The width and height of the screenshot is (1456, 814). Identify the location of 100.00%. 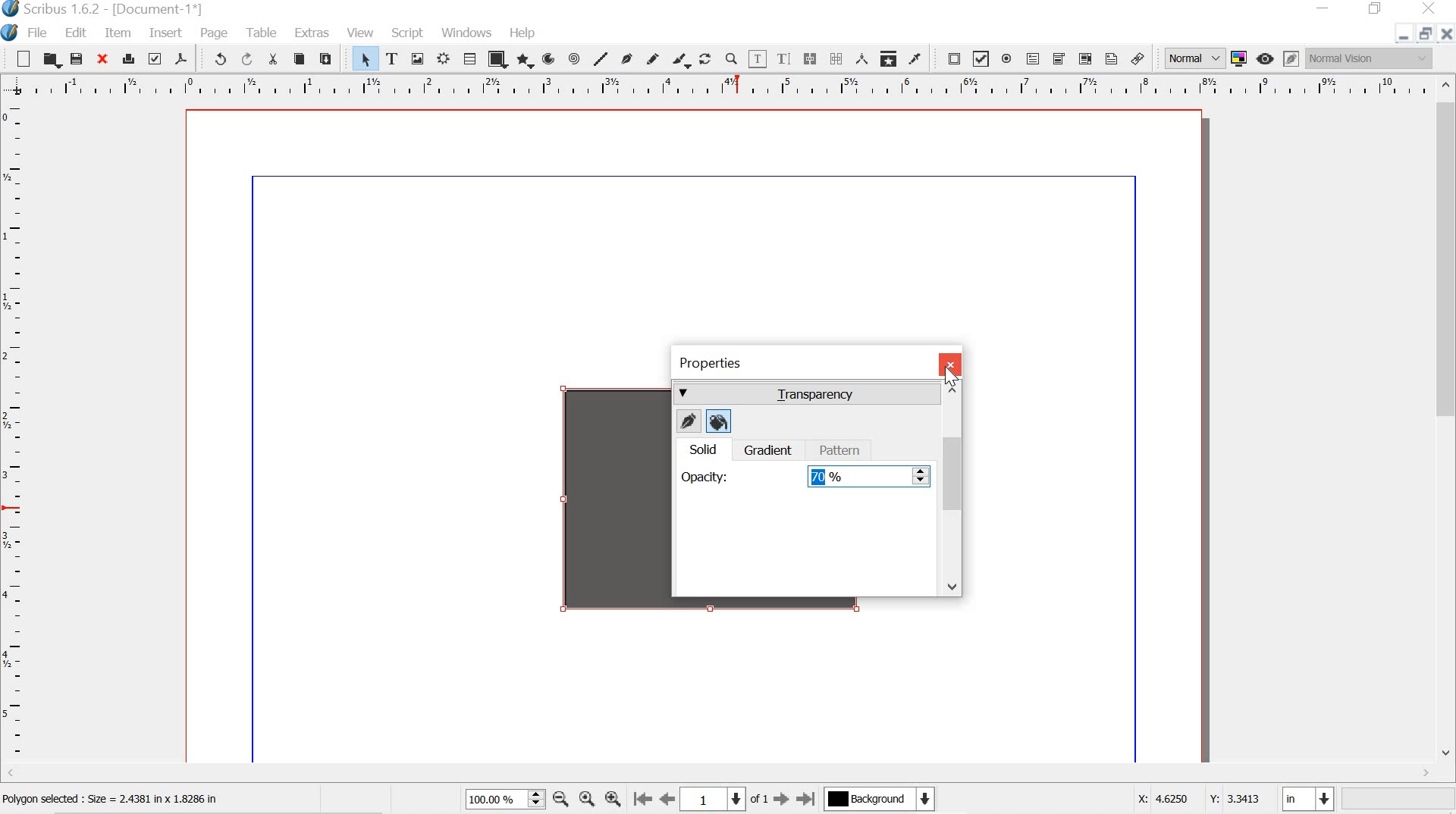
(504, 799).